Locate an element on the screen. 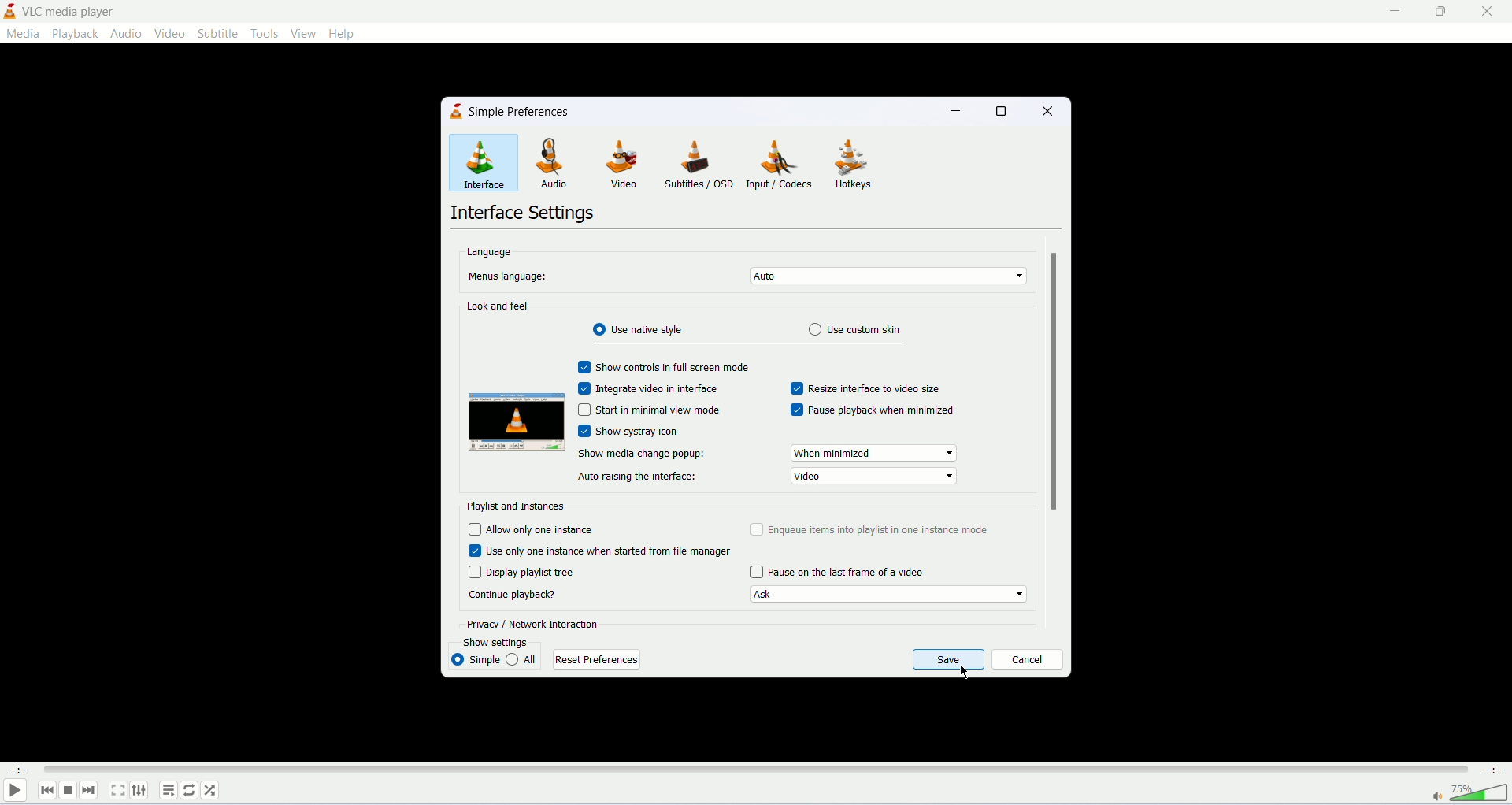 The image size is (1512, 805). shuffle is located at coordinates (212, 791).